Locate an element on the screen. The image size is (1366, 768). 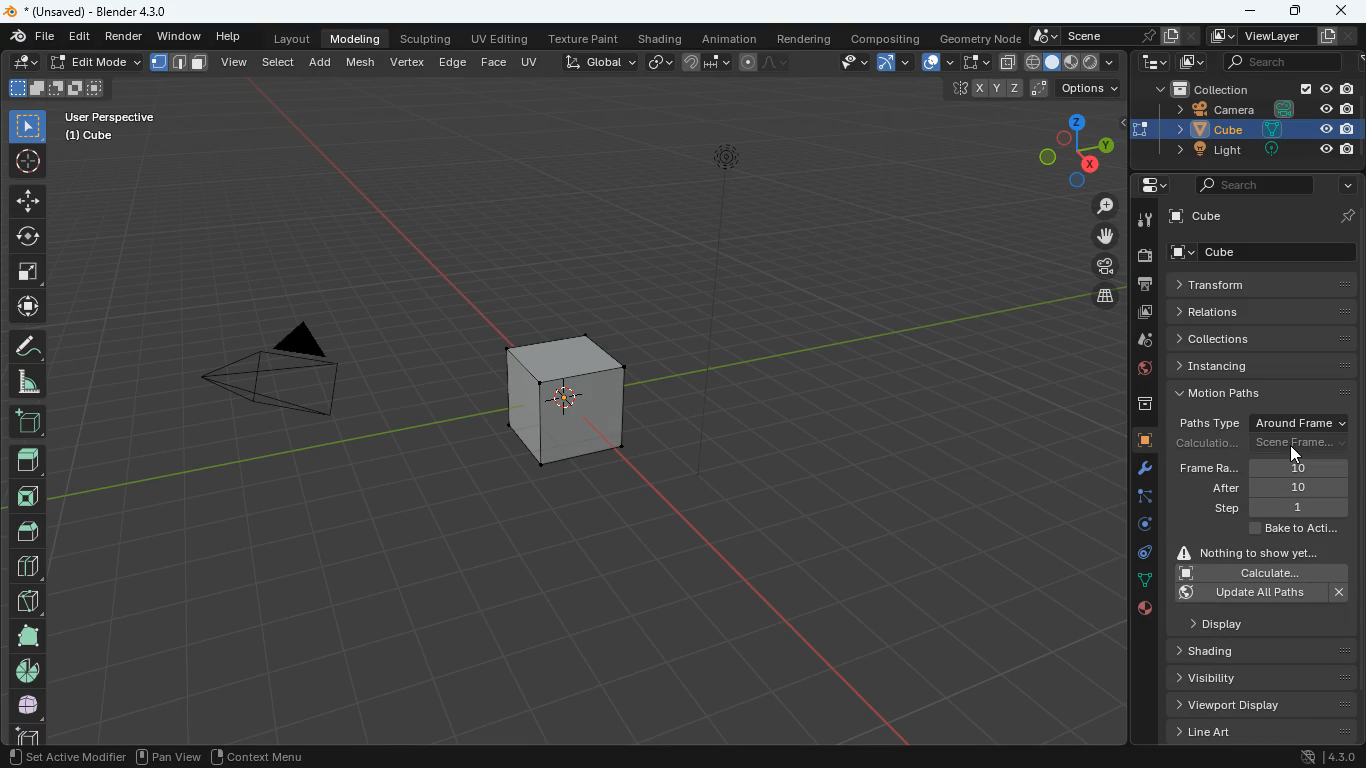
Visiblity is located at coordinates (1234, 676).